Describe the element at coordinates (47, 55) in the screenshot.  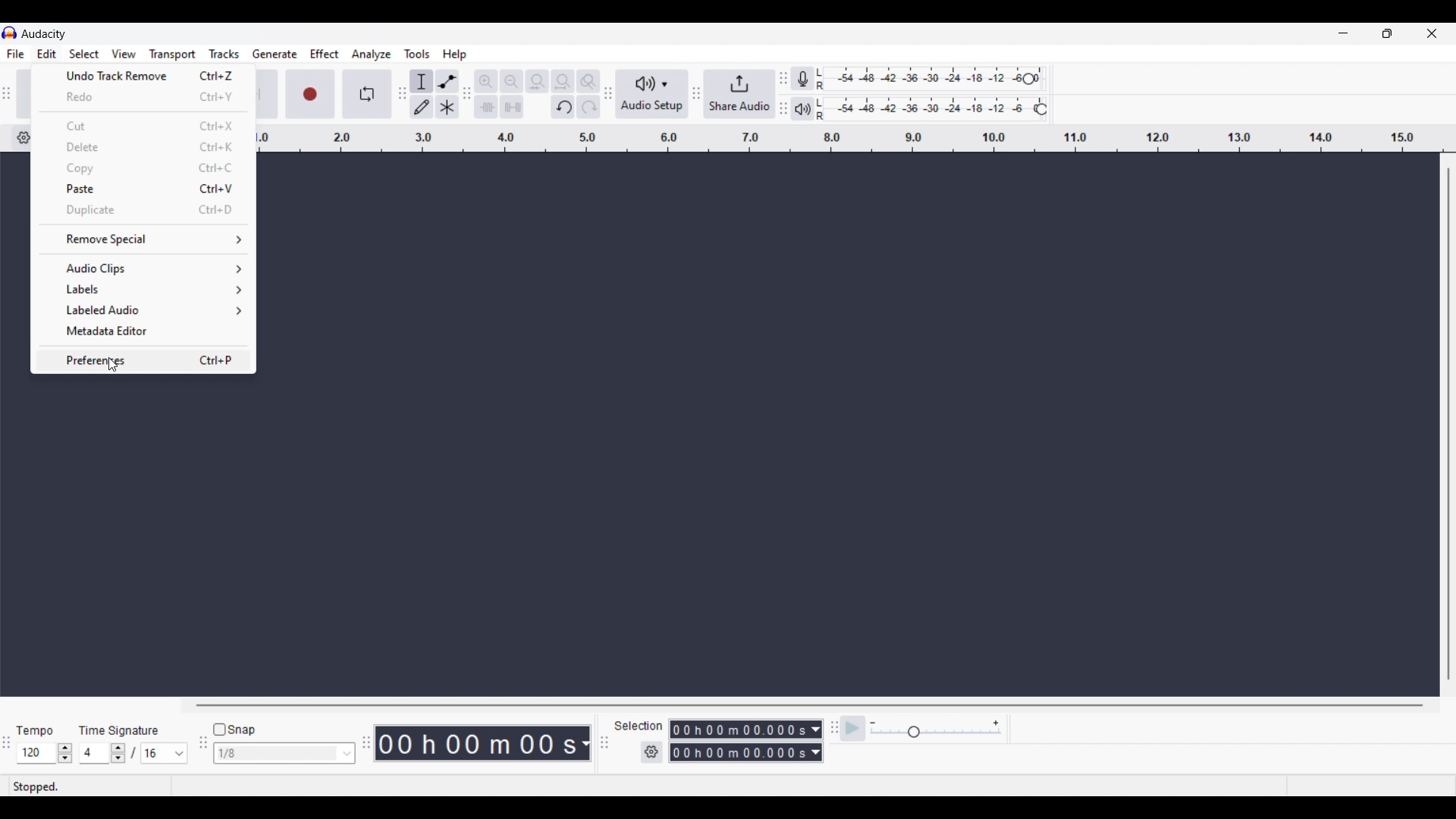
I see `Edit menu` at that location.